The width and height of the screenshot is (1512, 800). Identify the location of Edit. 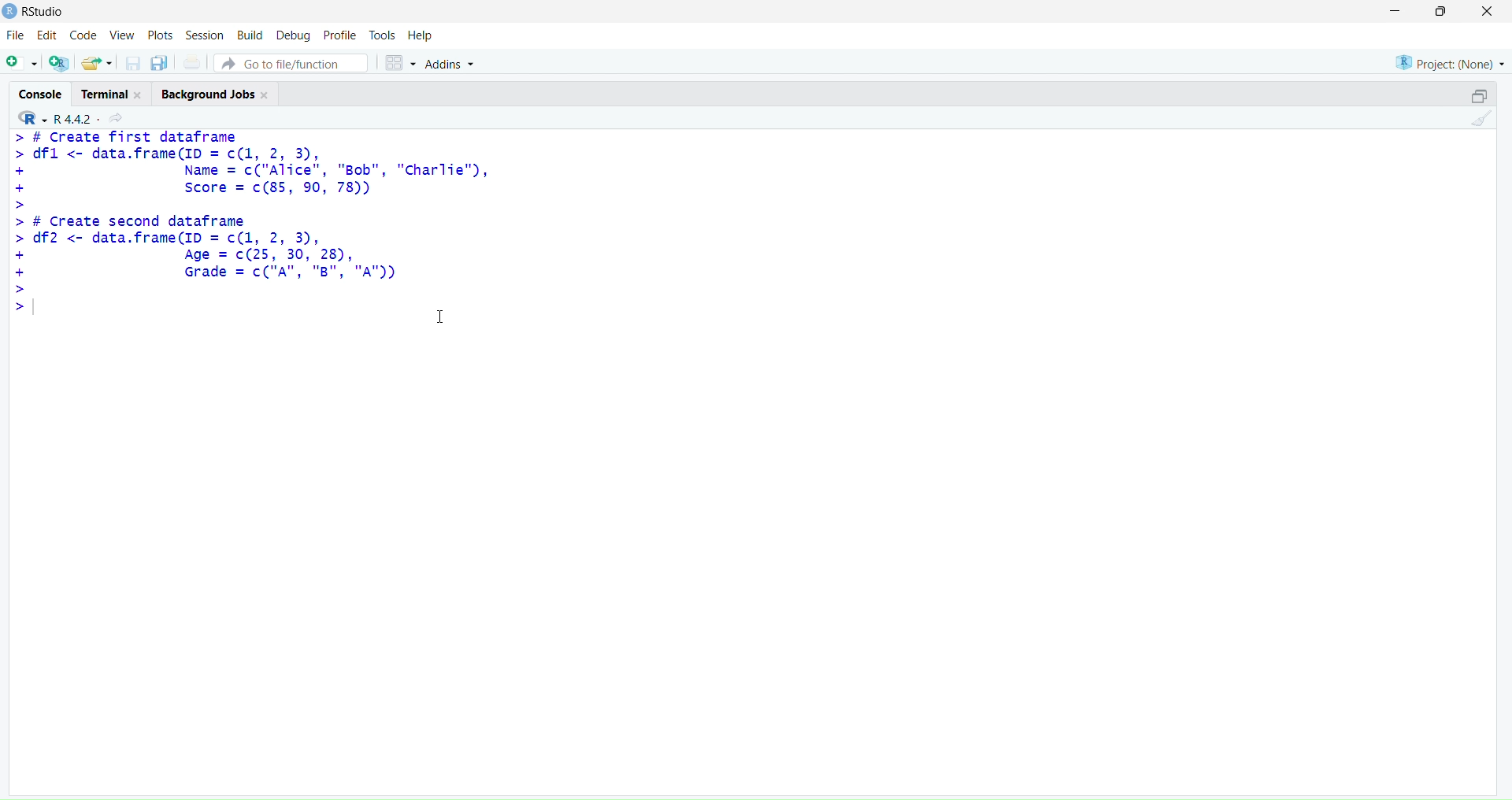
(47, 35).